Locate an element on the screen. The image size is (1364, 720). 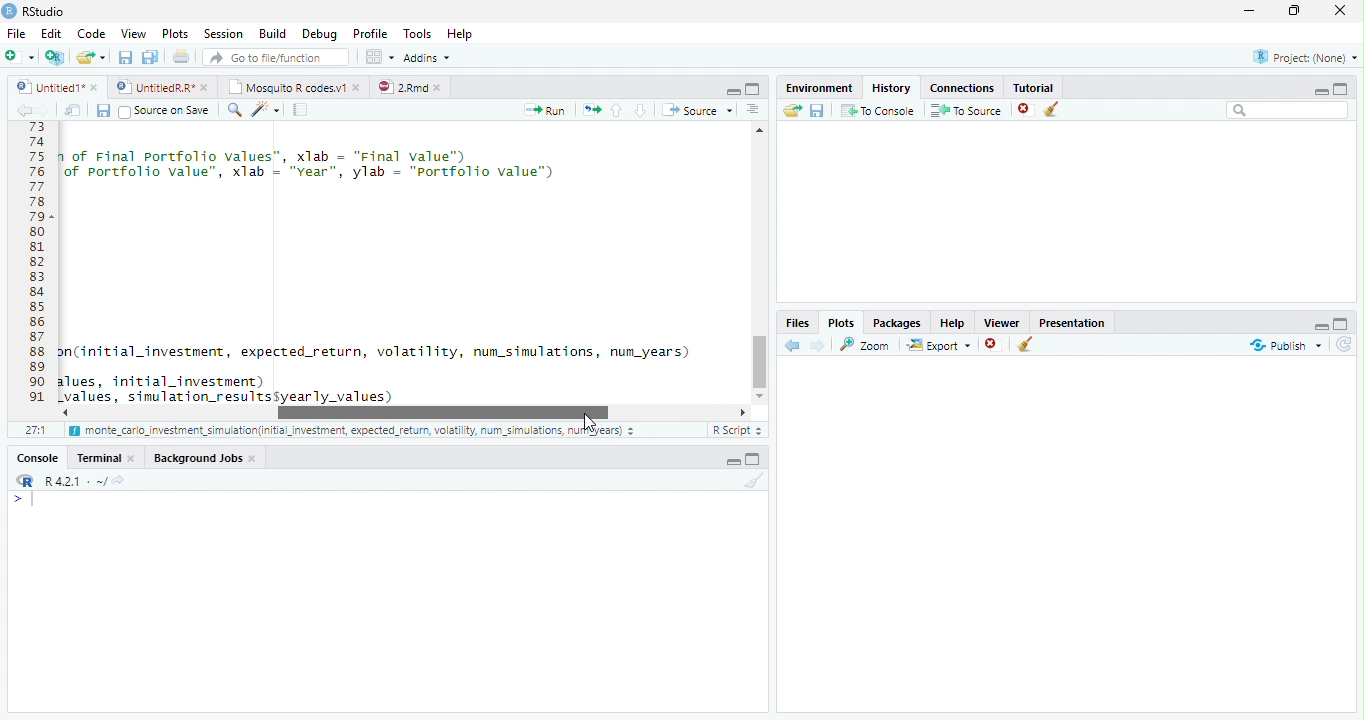
Debug is located at coordinates (318, 34).